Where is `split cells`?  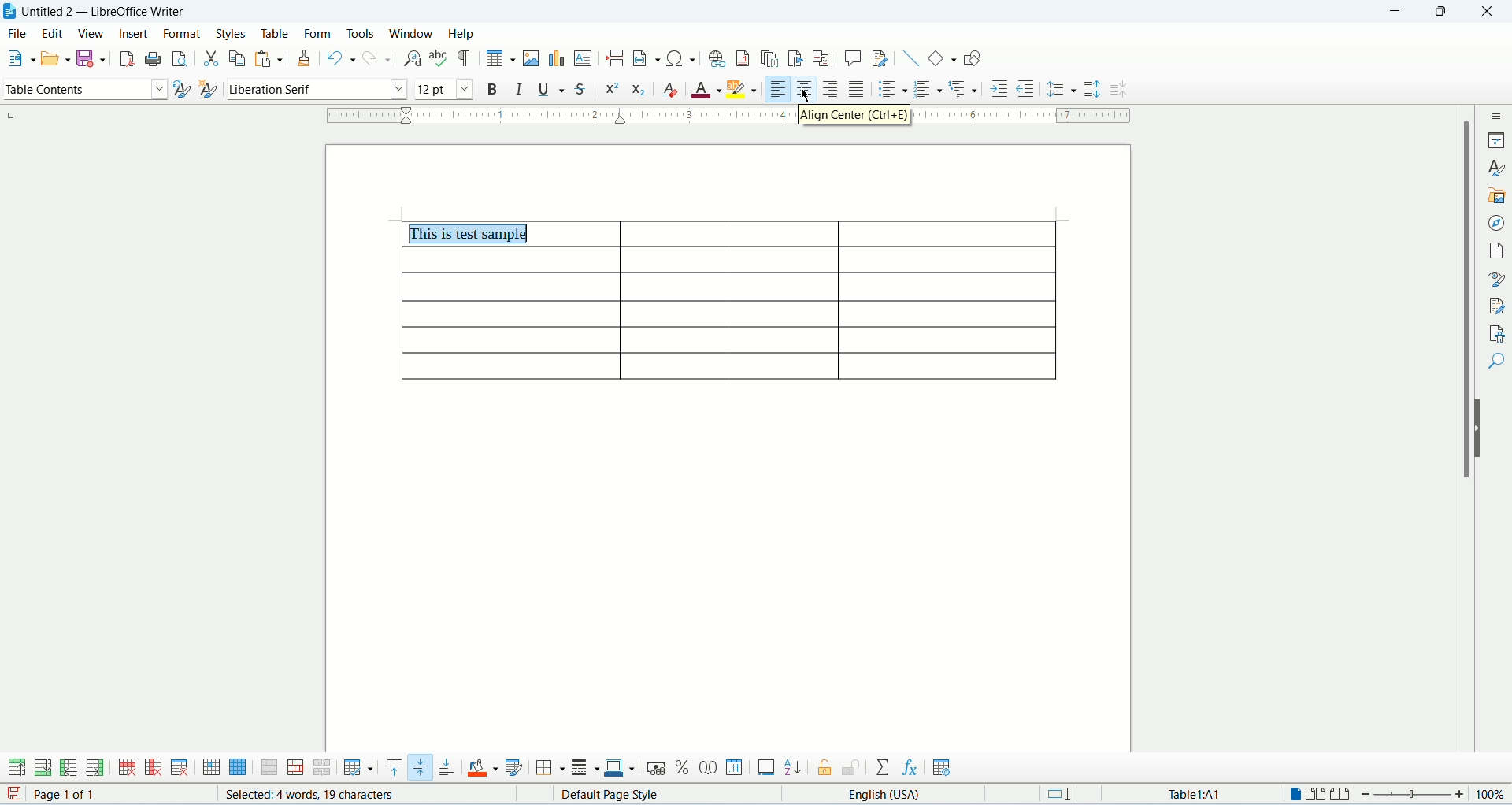 split cells is located at coordinates (297, 767).